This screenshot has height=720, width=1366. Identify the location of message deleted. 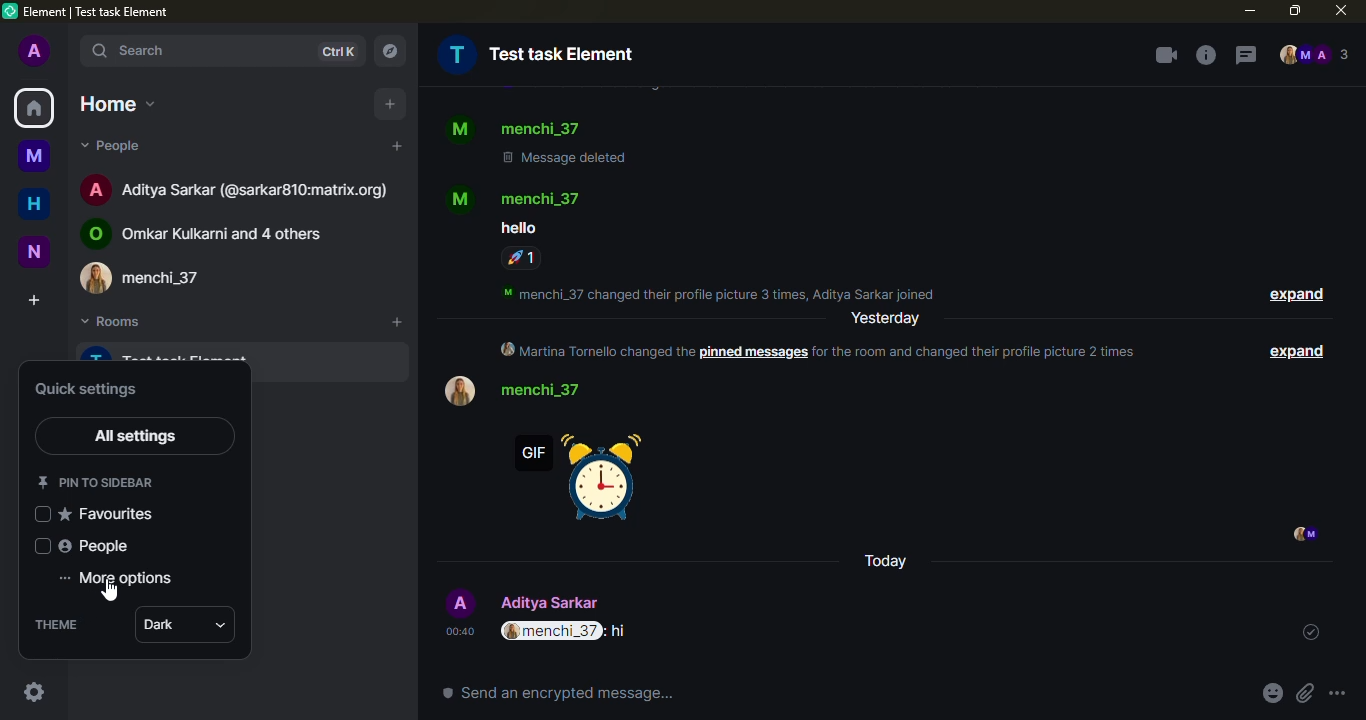
(564, 156).